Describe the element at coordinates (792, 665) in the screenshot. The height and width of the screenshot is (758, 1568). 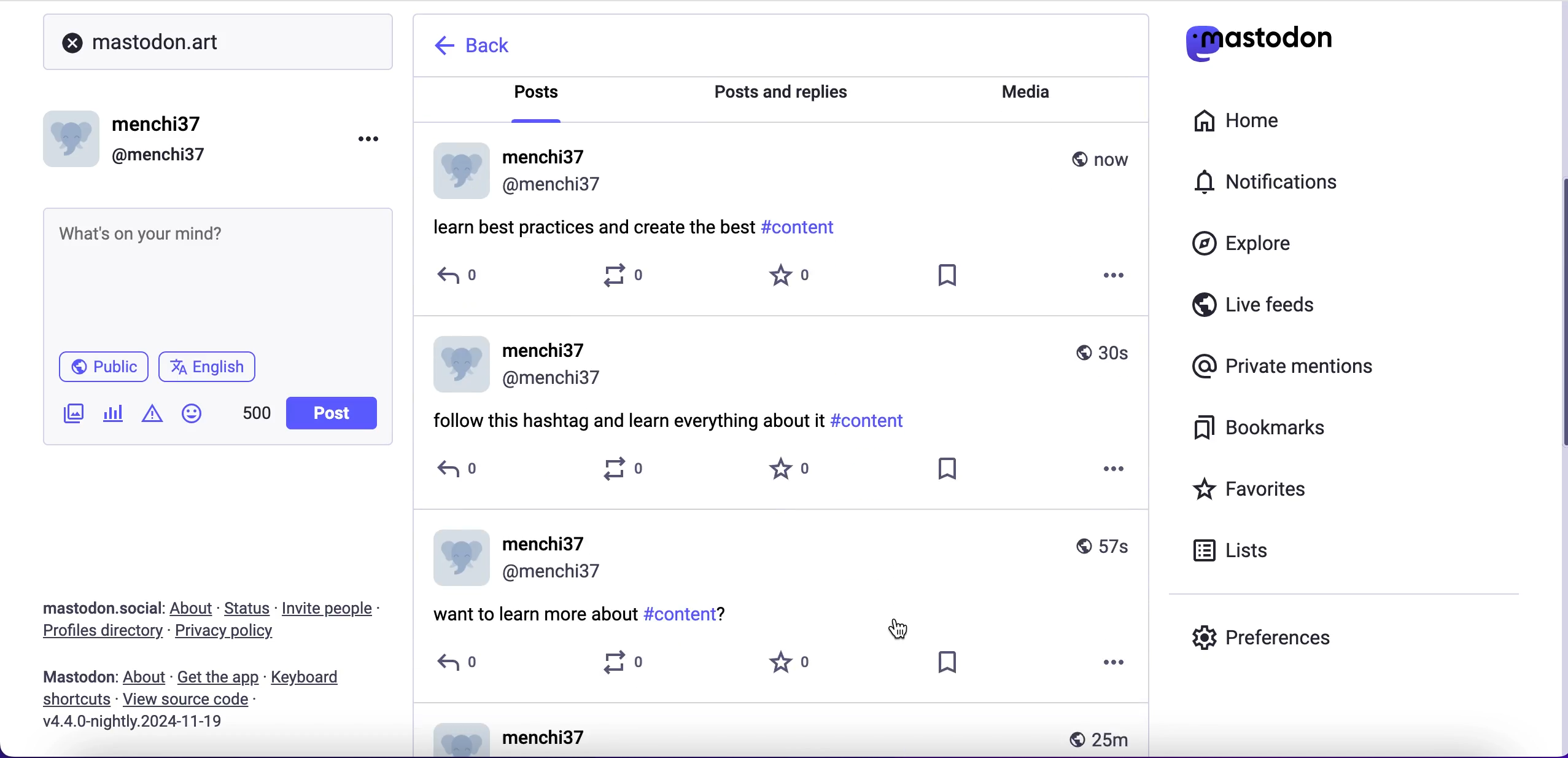
I see `0 favorites` at that location.